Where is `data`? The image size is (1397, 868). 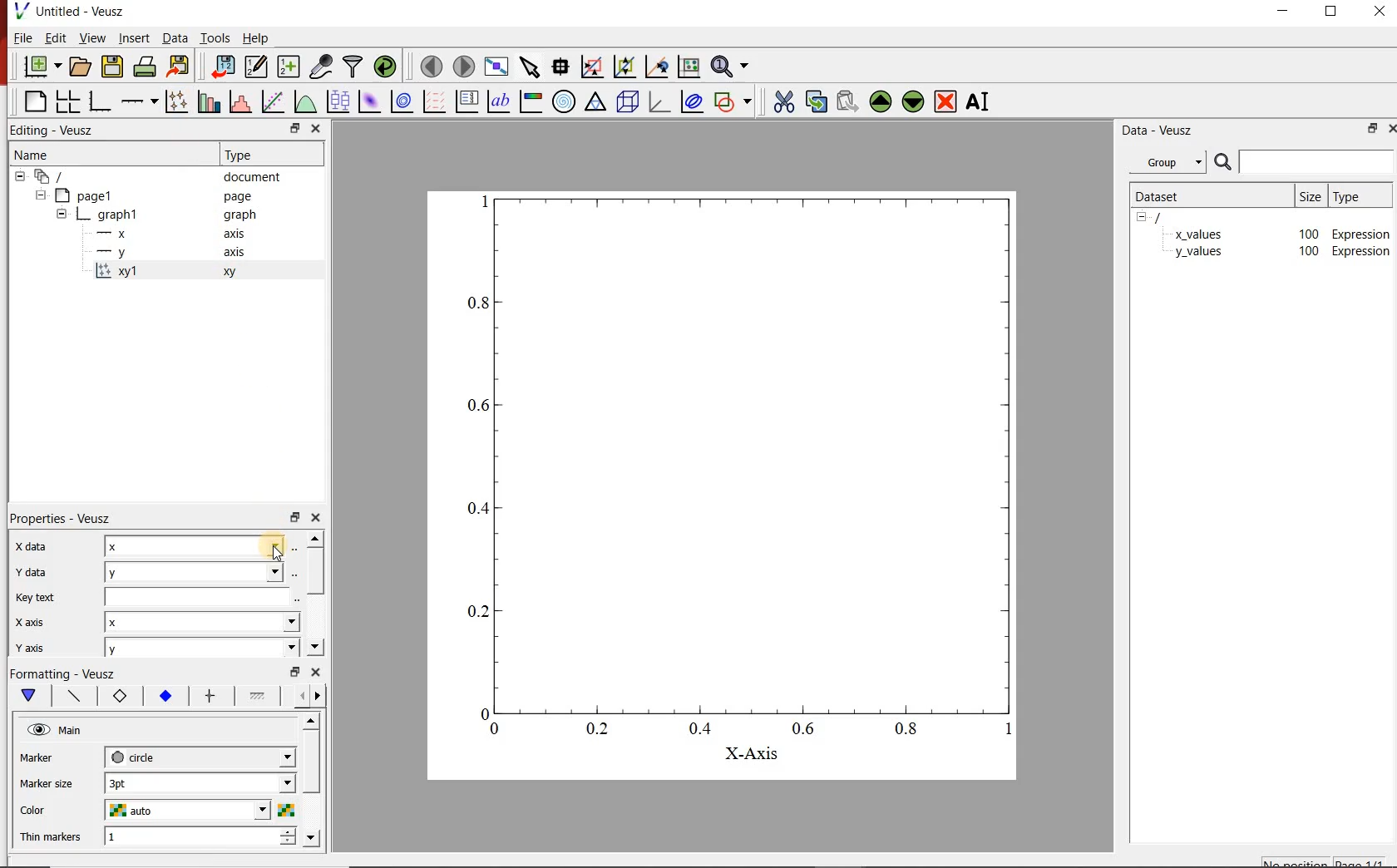 data is located at coordinates (175, 37).